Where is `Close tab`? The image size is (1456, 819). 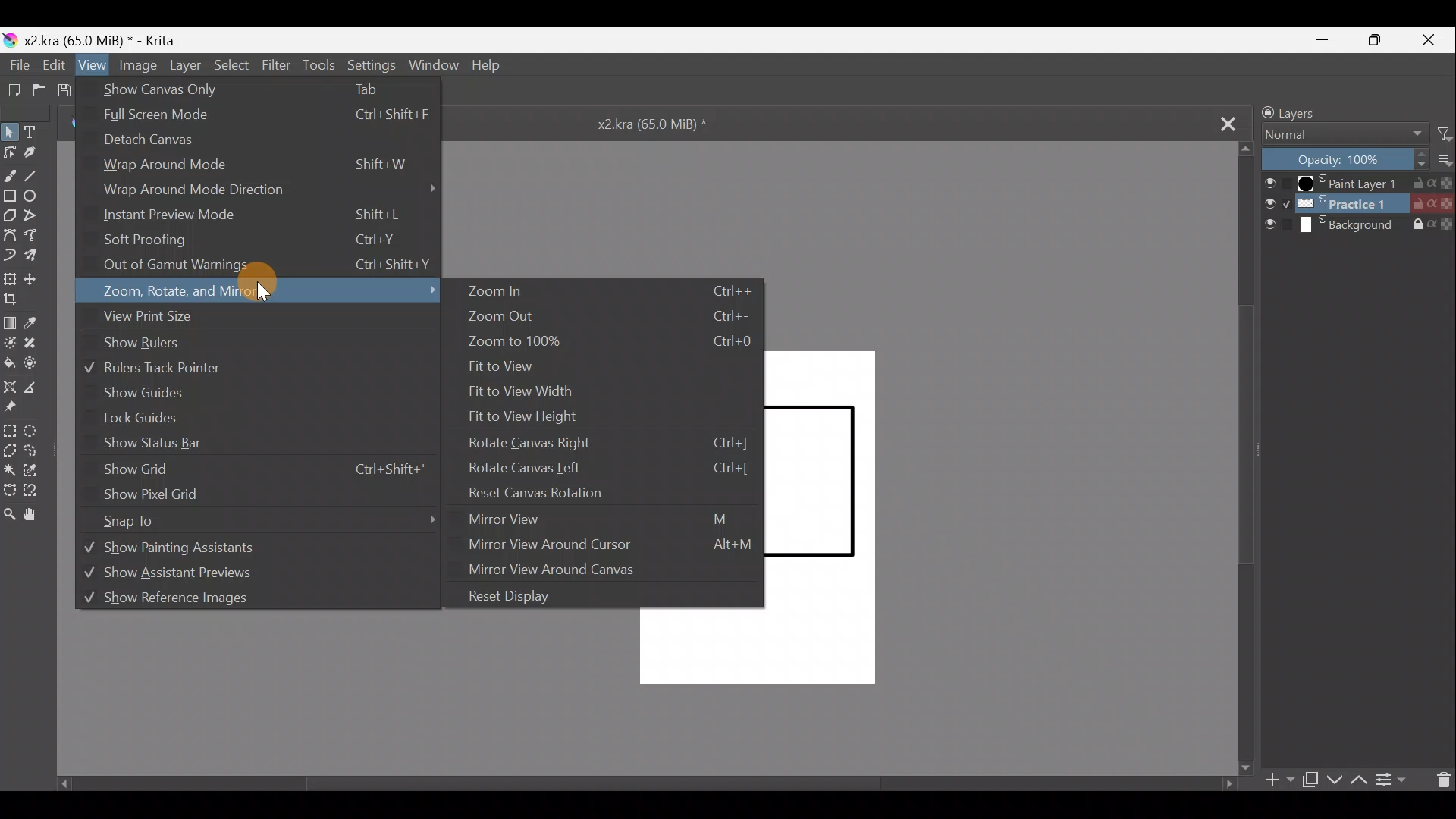 Close tab is located at coordinates (1217, 122).